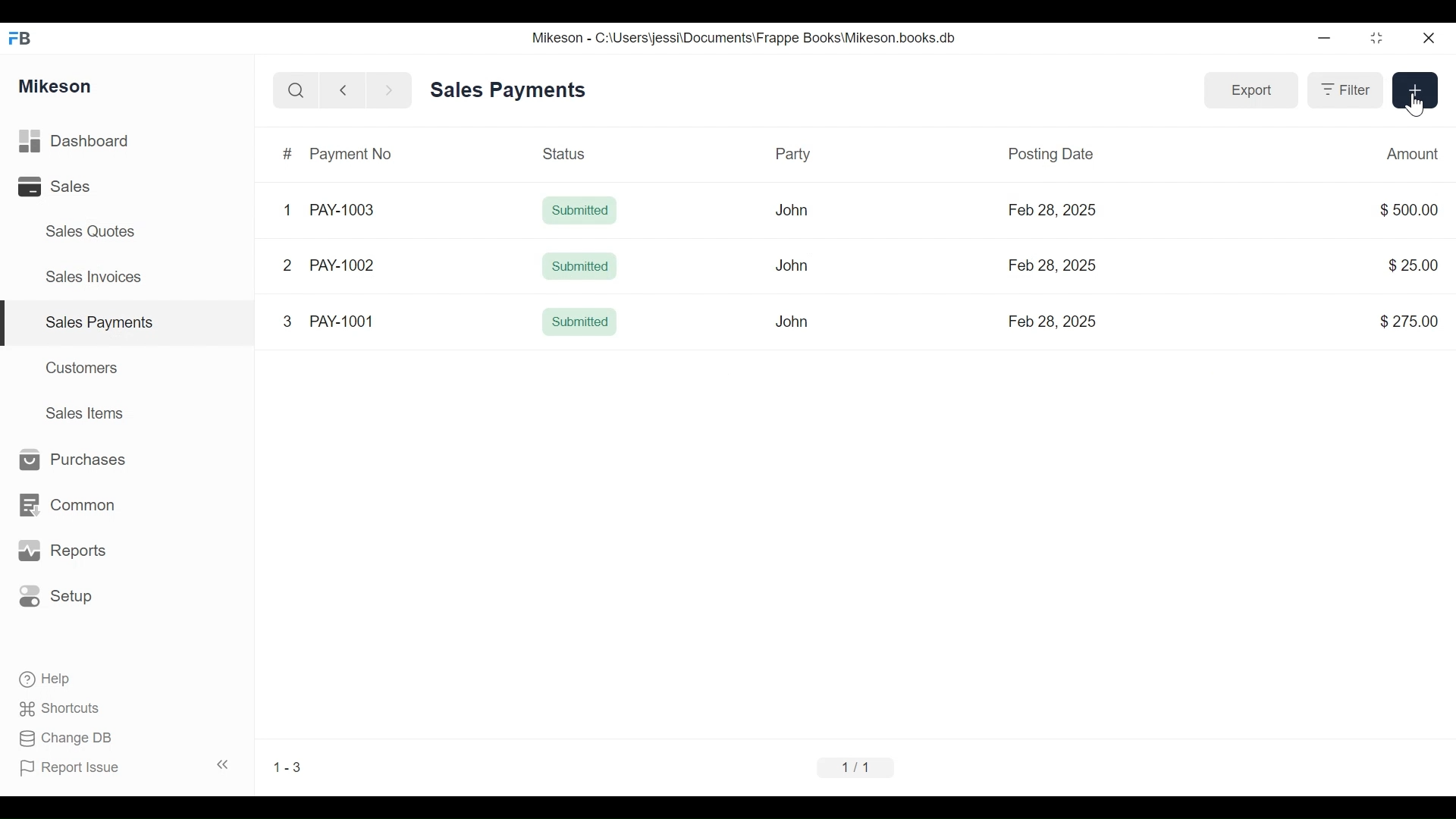 This screenshot has width=1456, height=819. I want to click on Payment No, so click(353, 155).